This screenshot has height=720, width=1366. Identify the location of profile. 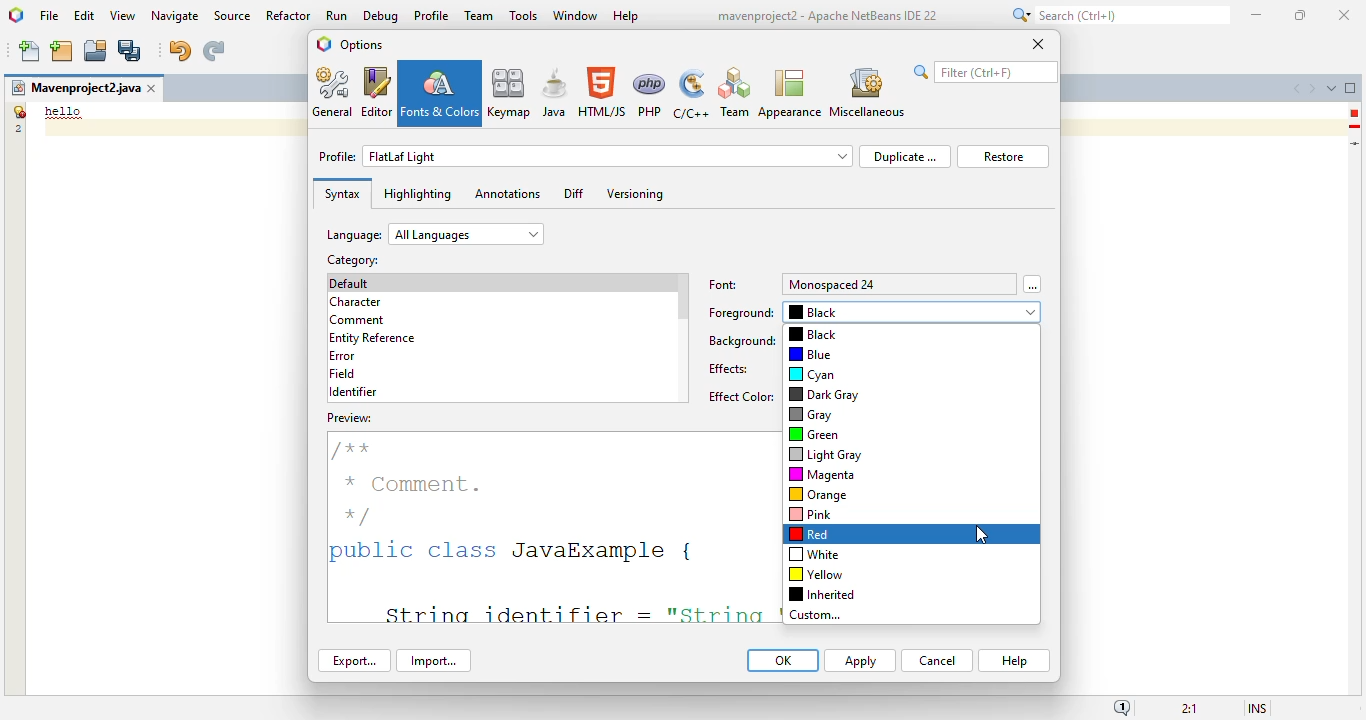
(433, 15).